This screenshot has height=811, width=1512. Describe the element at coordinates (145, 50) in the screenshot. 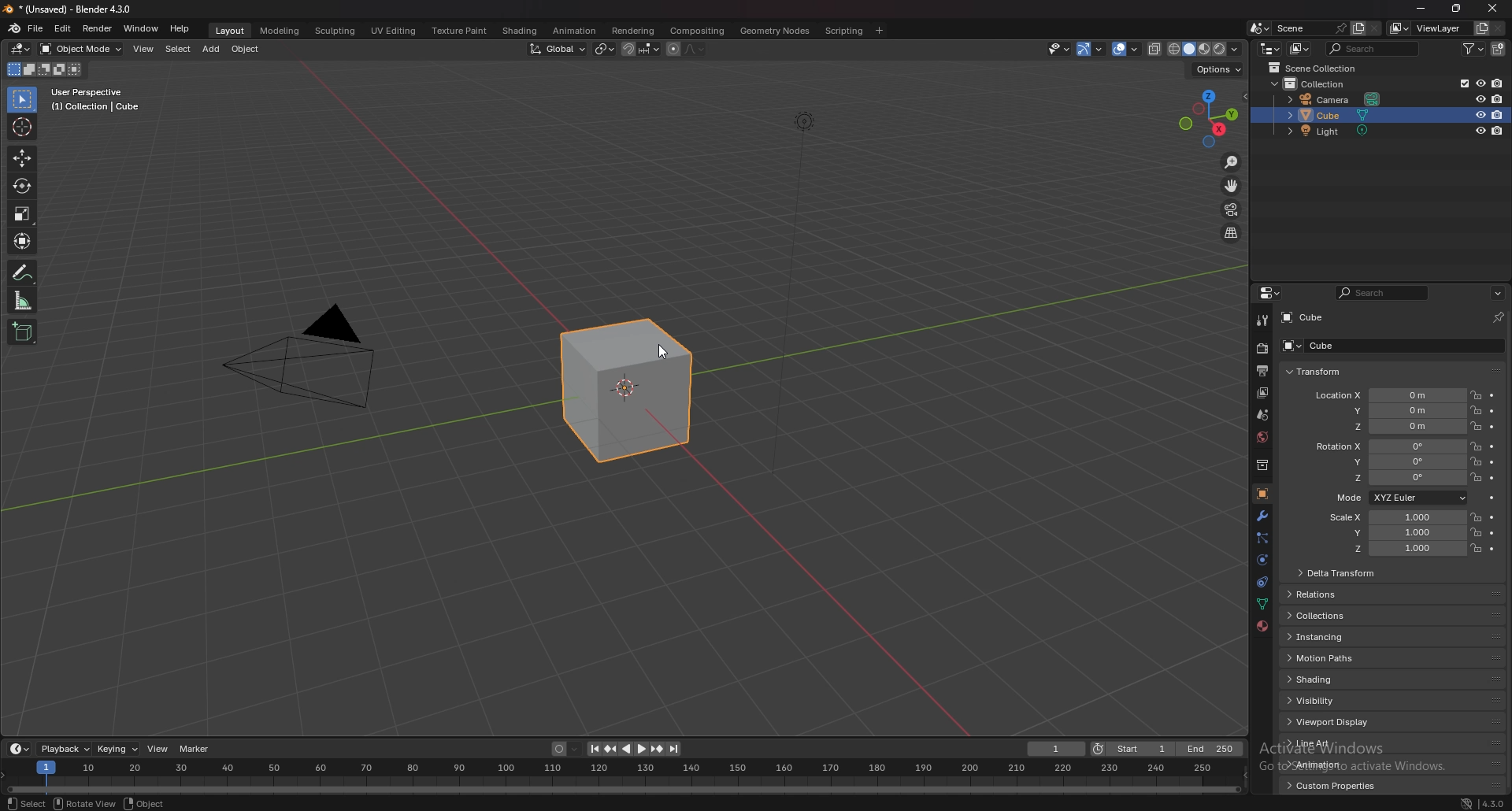

I see `view` at that location.